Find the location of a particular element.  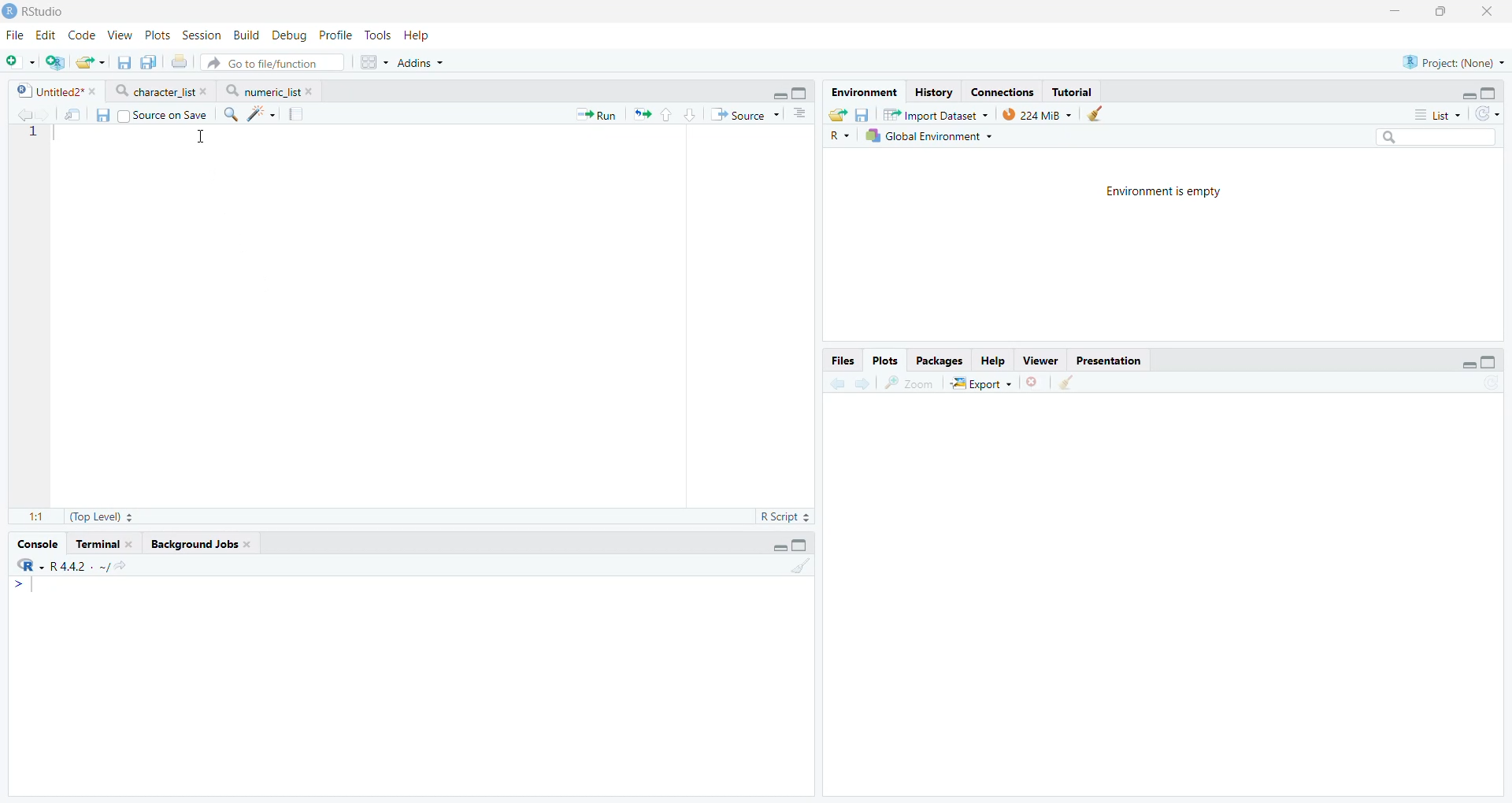

Close is located at coordinates (1490, 11).